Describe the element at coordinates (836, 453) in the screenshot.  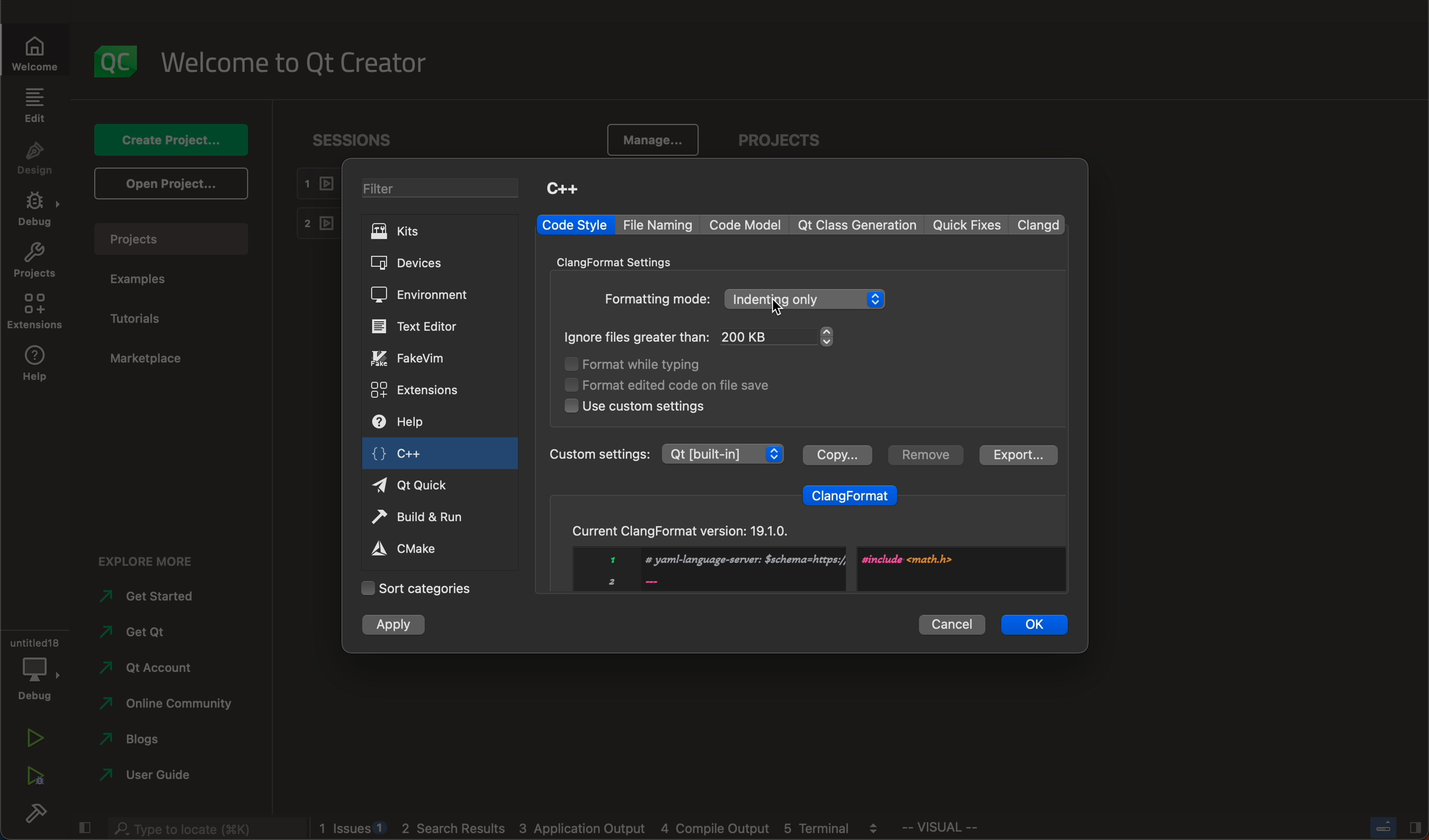
I see `copy` at that location.